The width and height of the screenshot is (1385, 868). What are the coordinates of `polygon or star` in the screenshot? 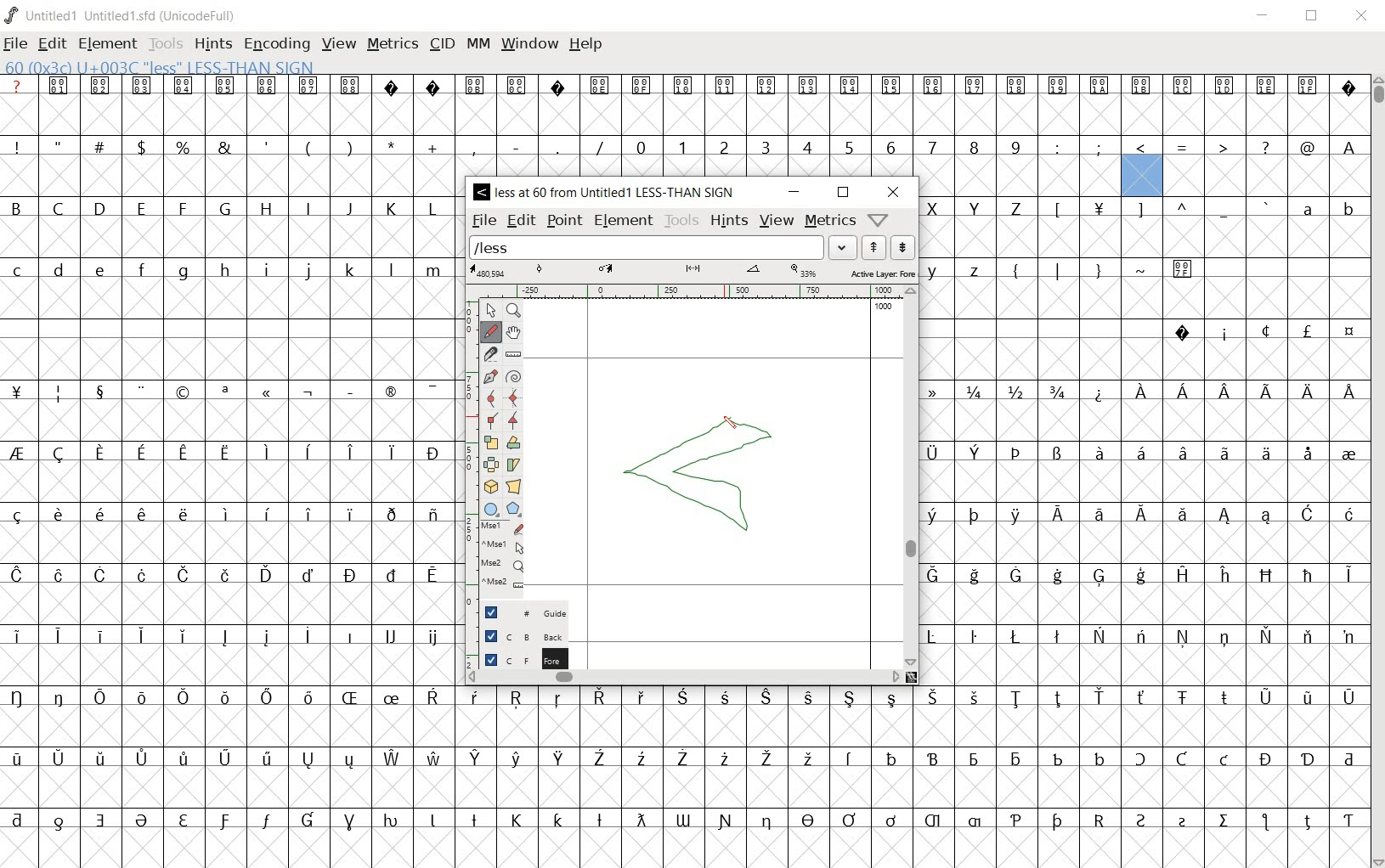 It's located at (514, 509).